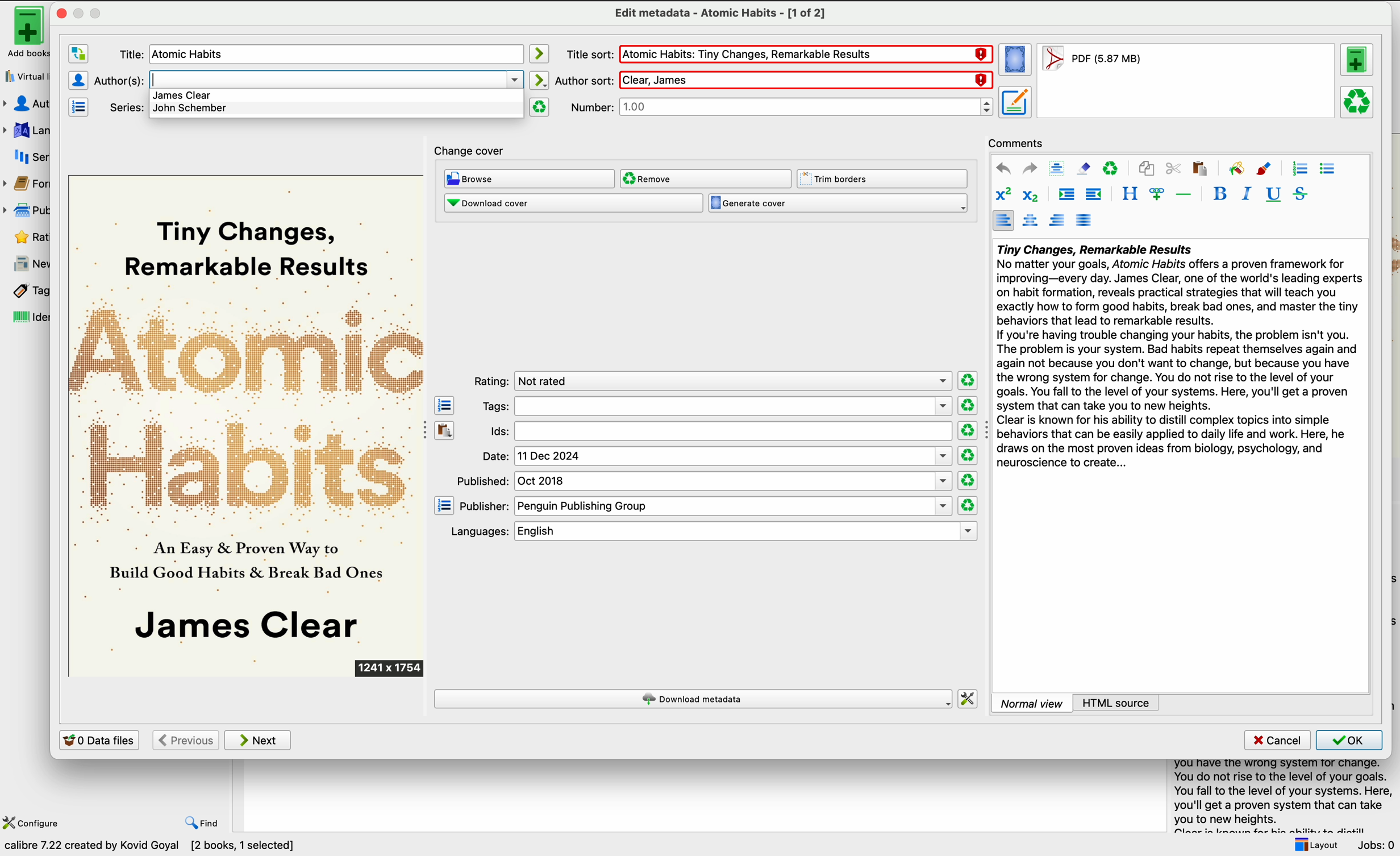 The height and width of the screenshot is (856, 1400). What do you see at coordinates (584, 79) in the screenshot?
I see `author sort:` at bounding box center [584, 79].